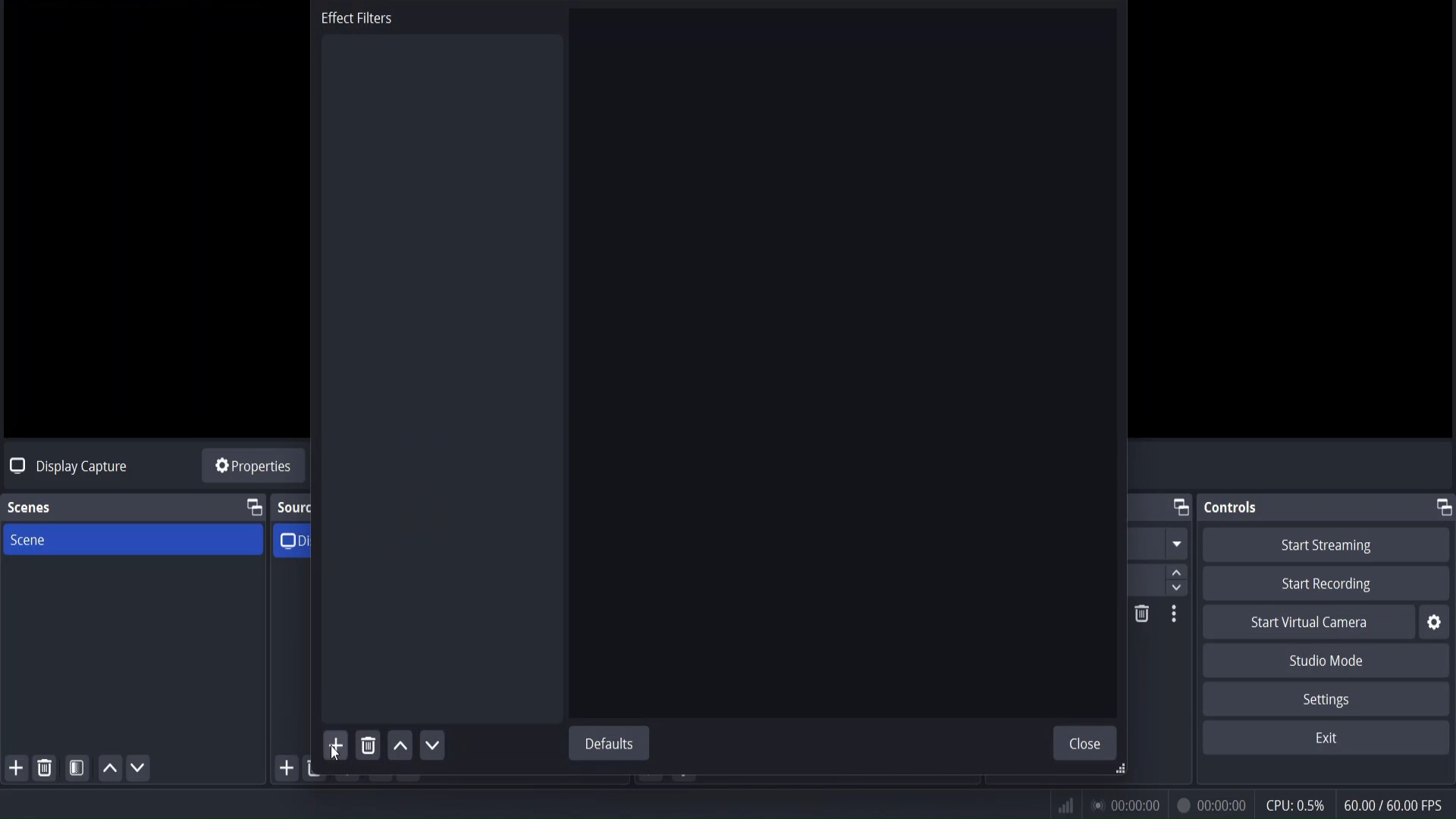 This screenshot has height=819, width=1456. I want to click on scenes, so click(30, 508).